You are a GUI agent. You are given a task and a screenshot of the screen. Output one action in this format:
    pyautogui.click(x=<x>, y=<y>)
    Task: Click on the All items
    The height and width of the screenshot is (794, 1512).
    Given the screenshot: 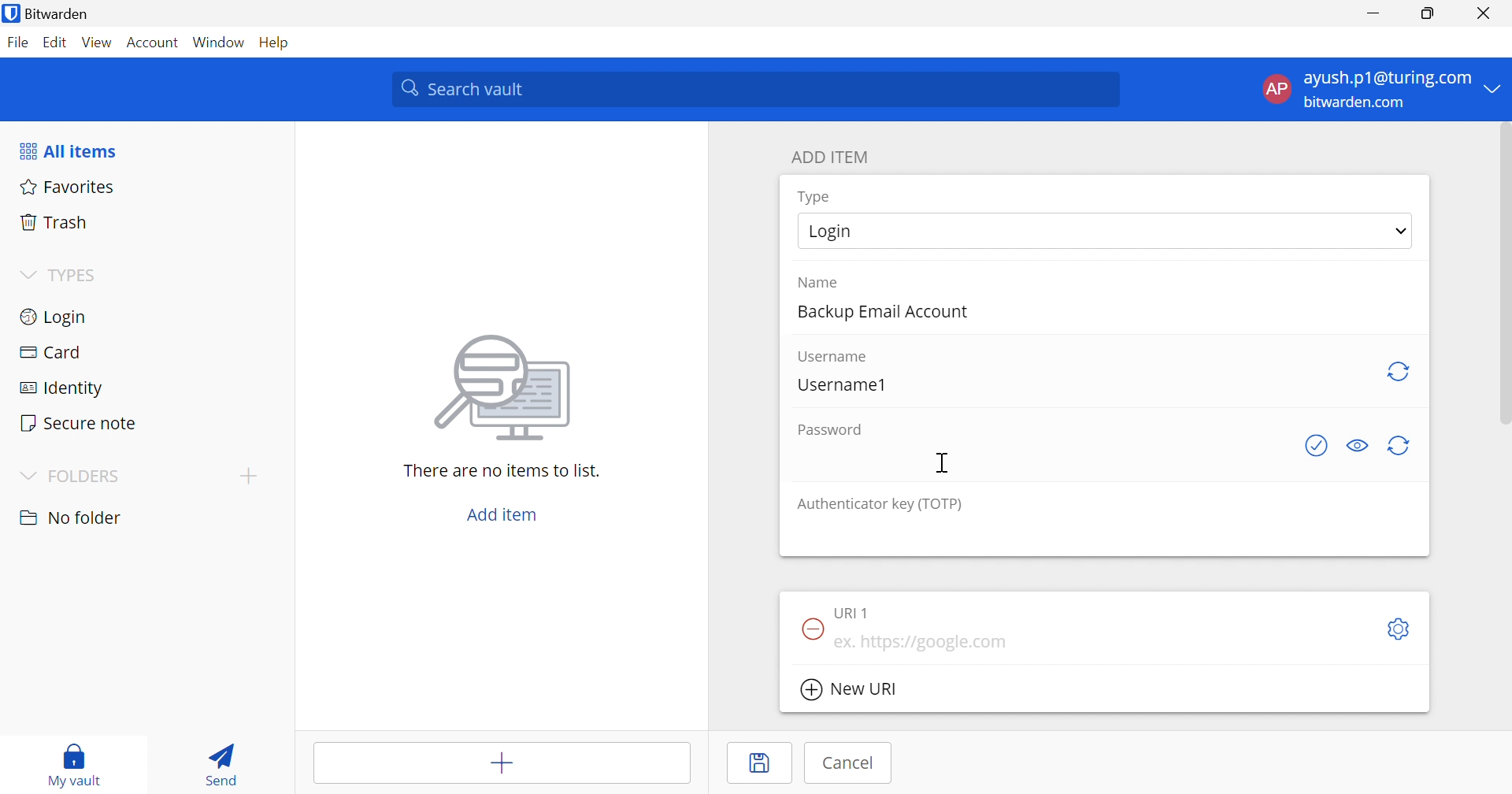 What is the action you would take?
    pyautogui.click(x=70, y=150)
    